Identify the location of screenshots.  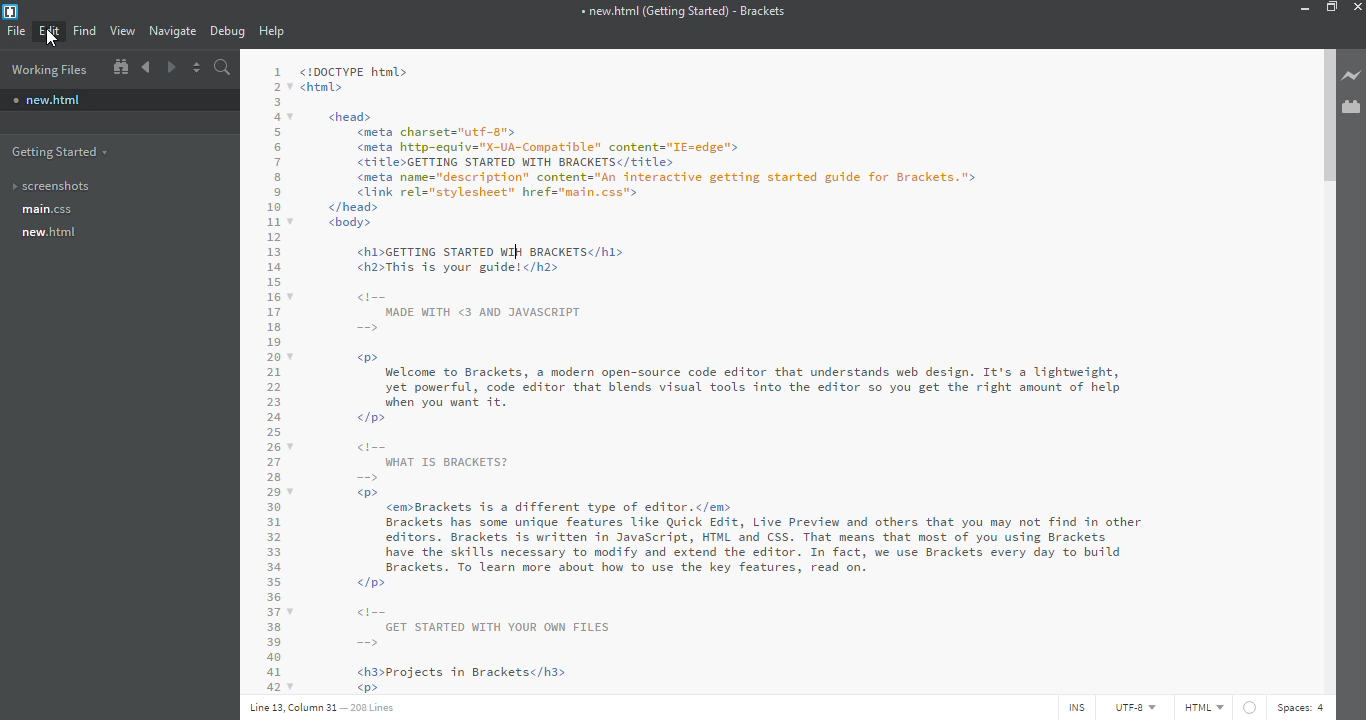
(61, 186).